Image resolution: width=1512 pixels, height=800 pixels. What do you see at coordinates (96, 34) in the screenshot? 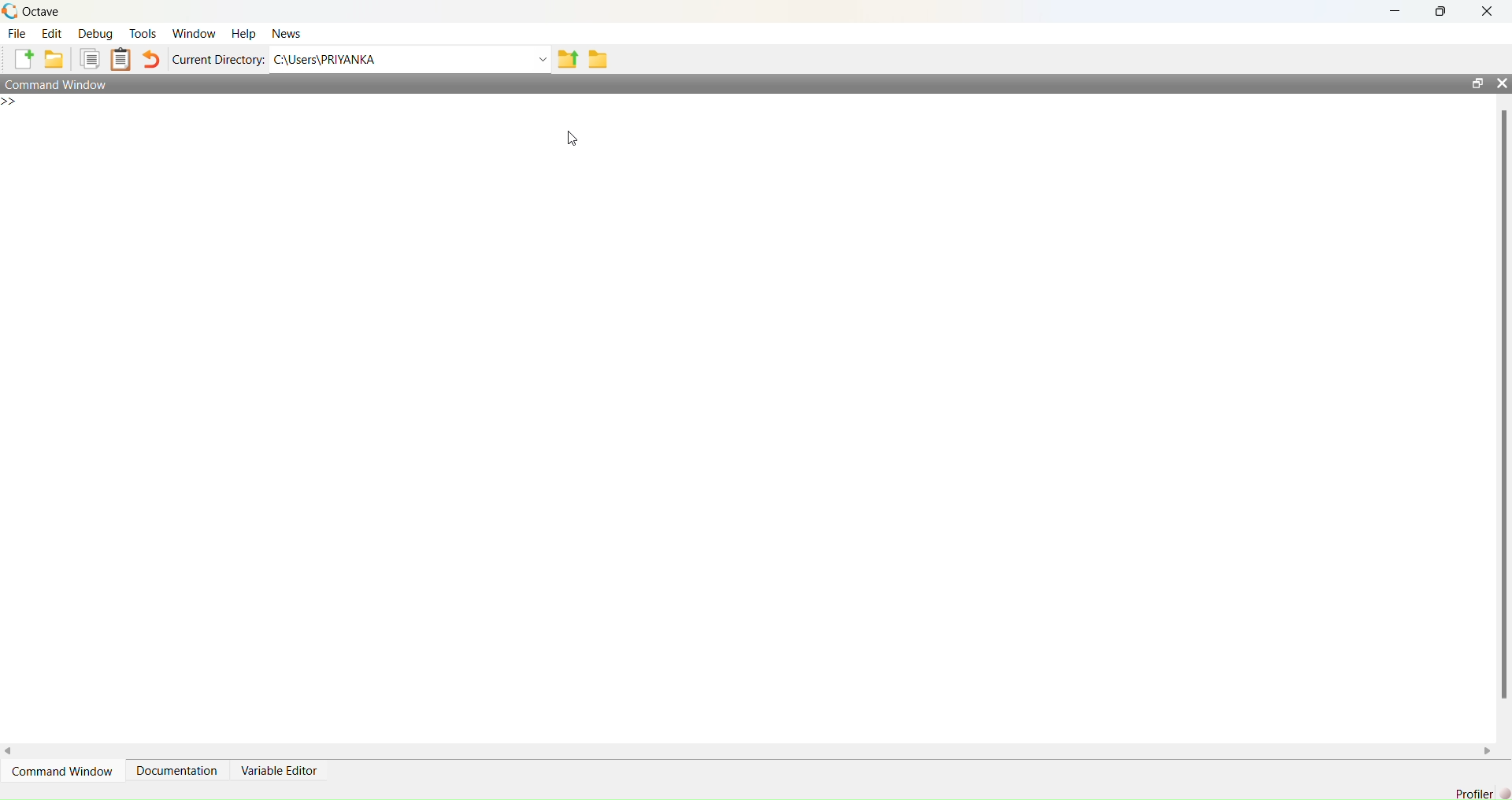
I see `Debug` at bounding box center [96, 34].